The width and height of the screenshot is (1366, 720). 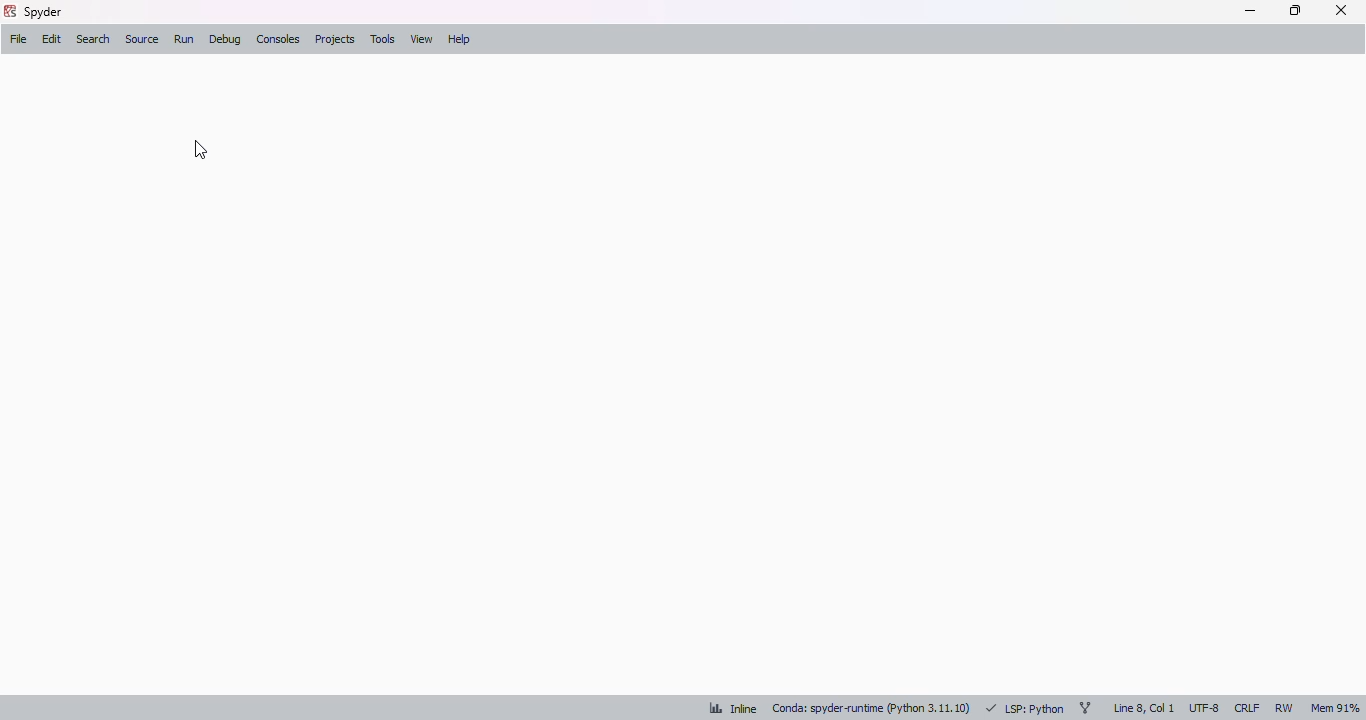 What do you see at coordinates (383, 39) in the screenshot?
I see `tools` at bounding box center [383, 39].